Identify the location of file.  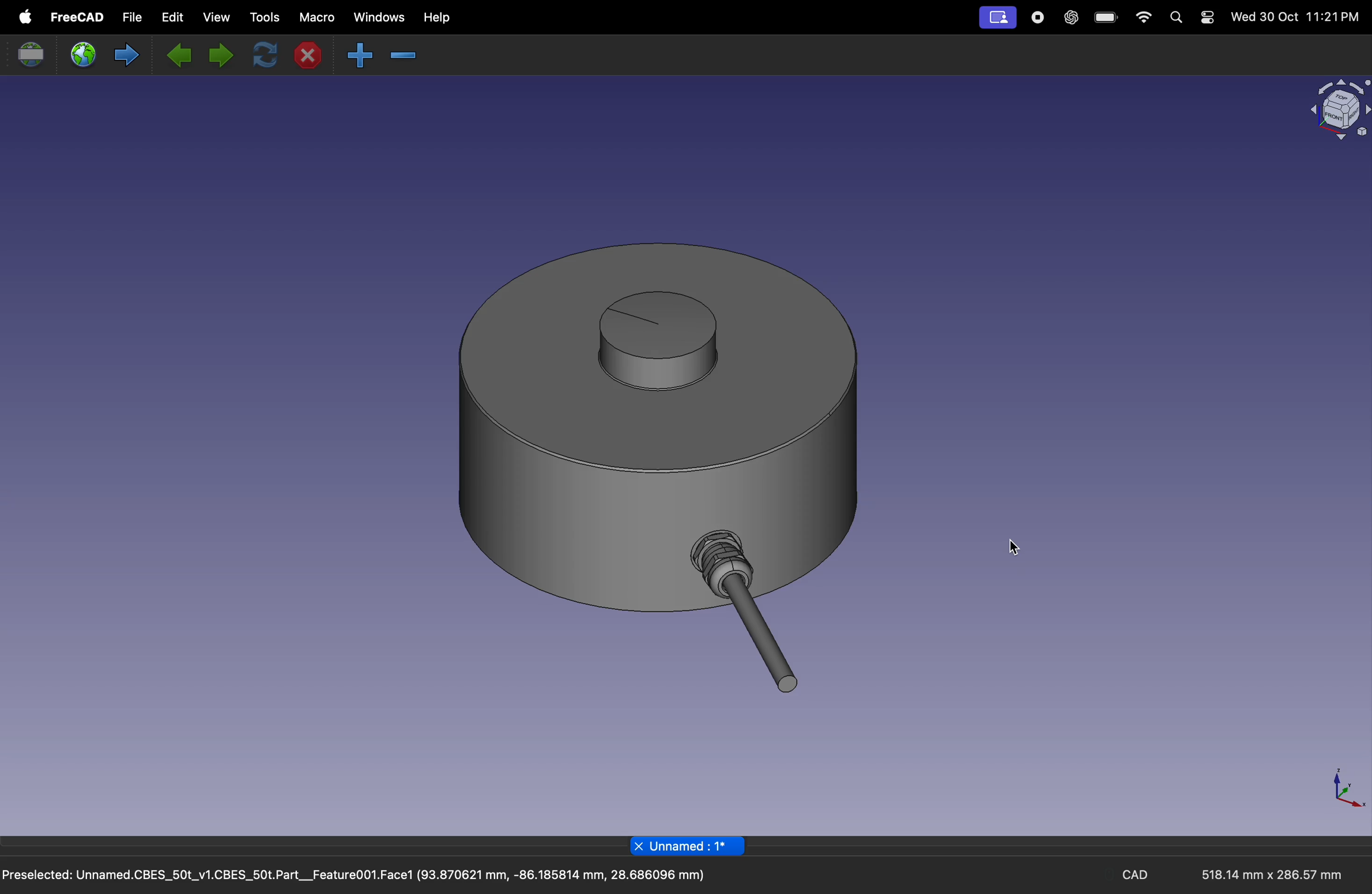
(135, 18).